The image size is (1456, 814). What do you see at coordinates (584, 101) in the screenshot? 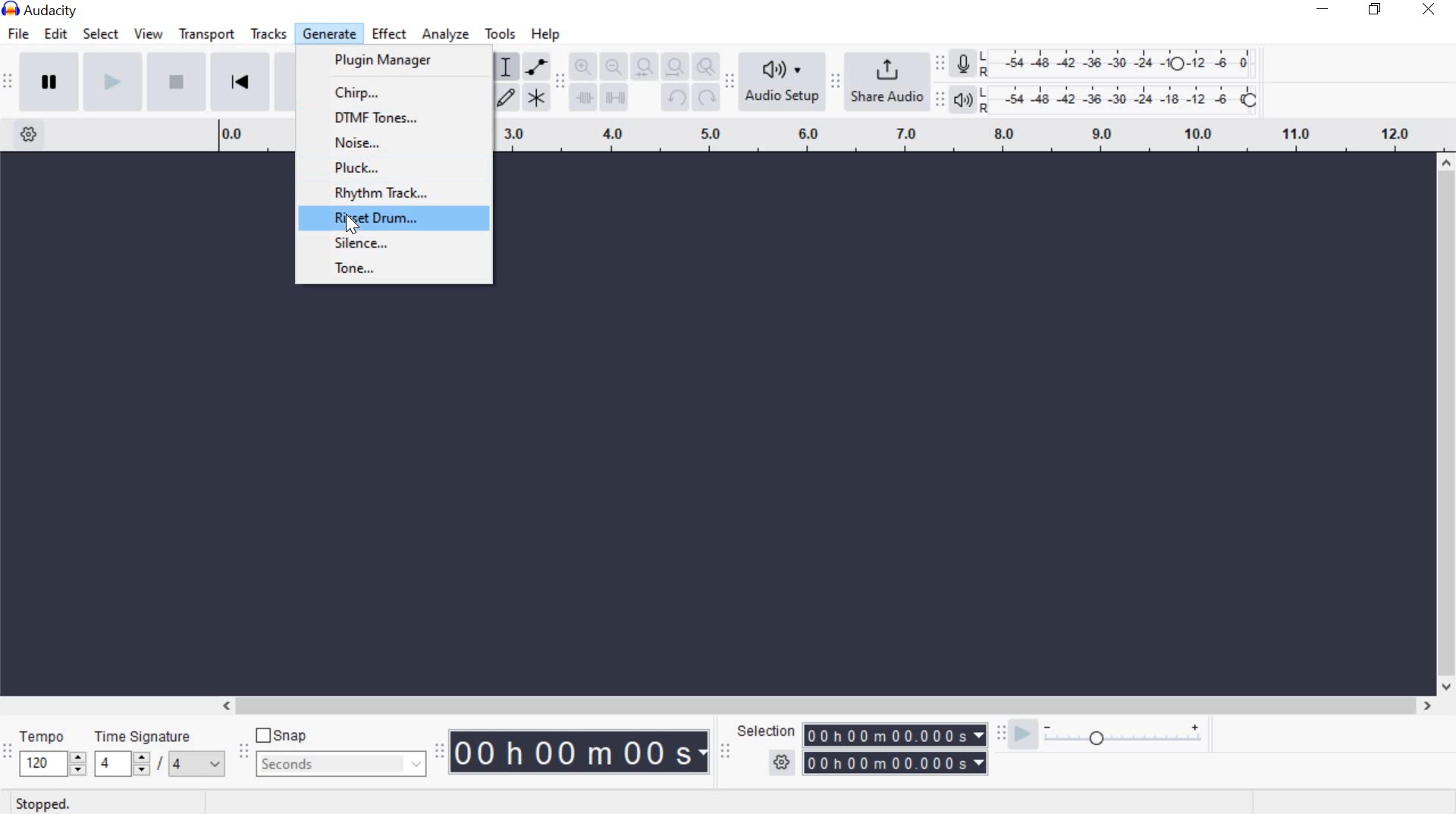
I see `Trim audio outside selection` at bounding box center [584, 101].